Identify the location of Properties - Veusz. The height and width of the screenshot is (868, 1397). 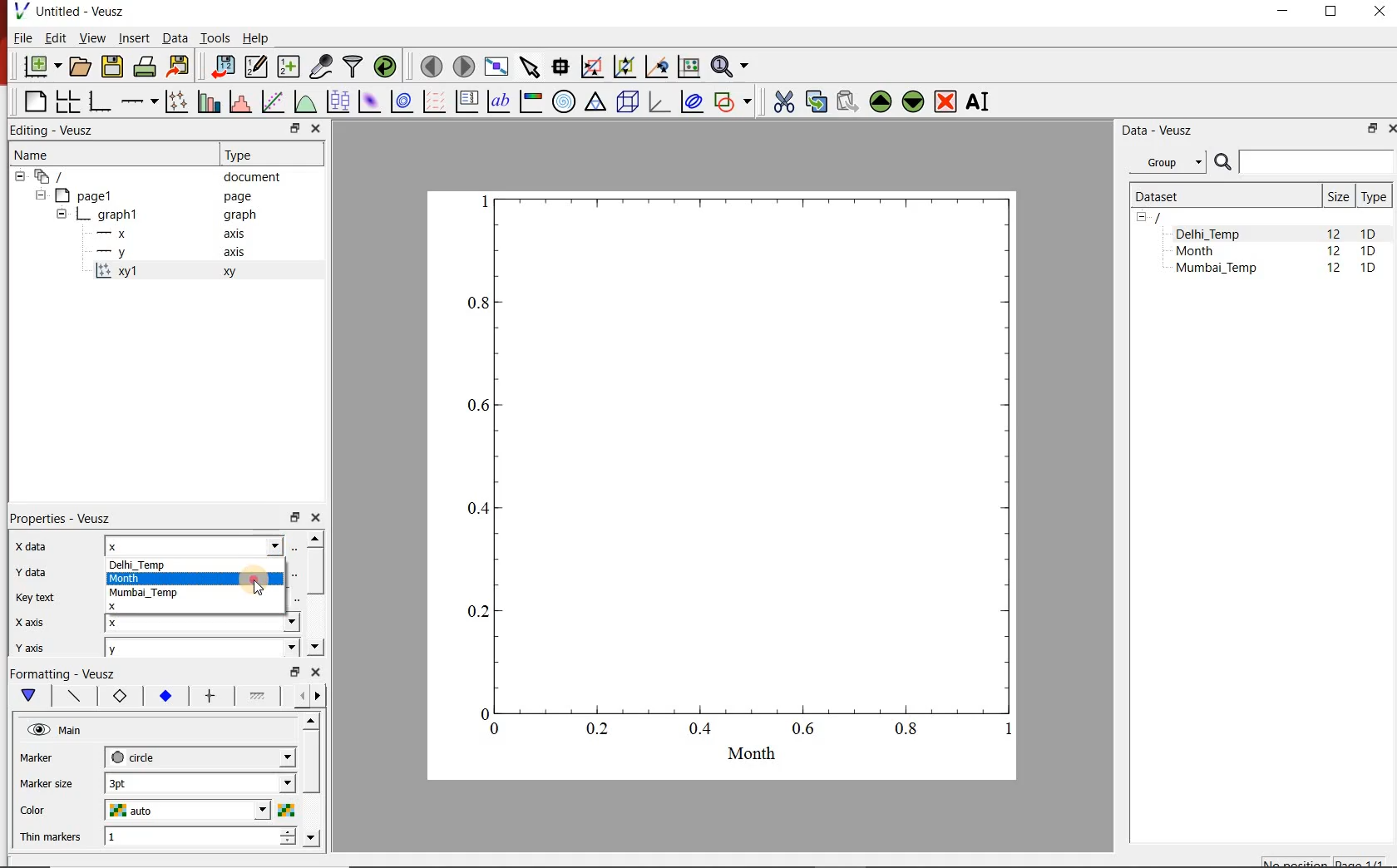
(57, 519).